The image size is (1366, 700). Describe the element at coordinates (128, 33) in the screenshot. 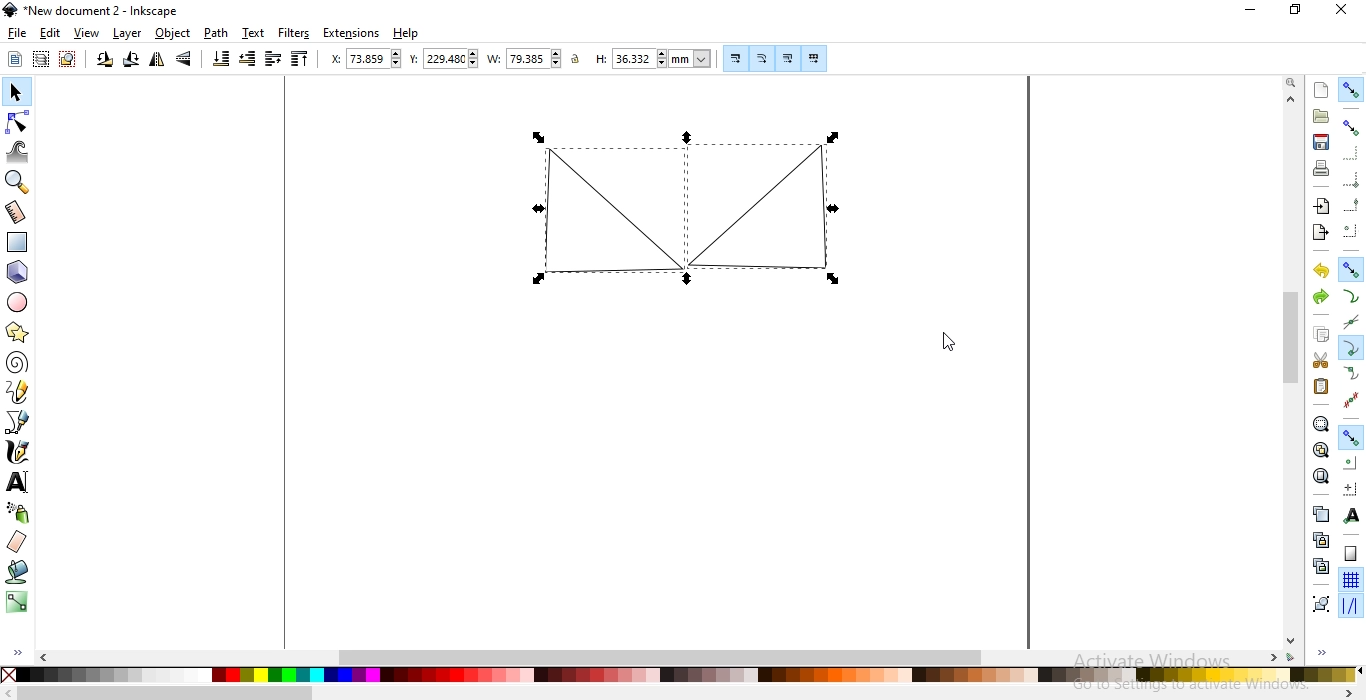

I see `layer` at that location.